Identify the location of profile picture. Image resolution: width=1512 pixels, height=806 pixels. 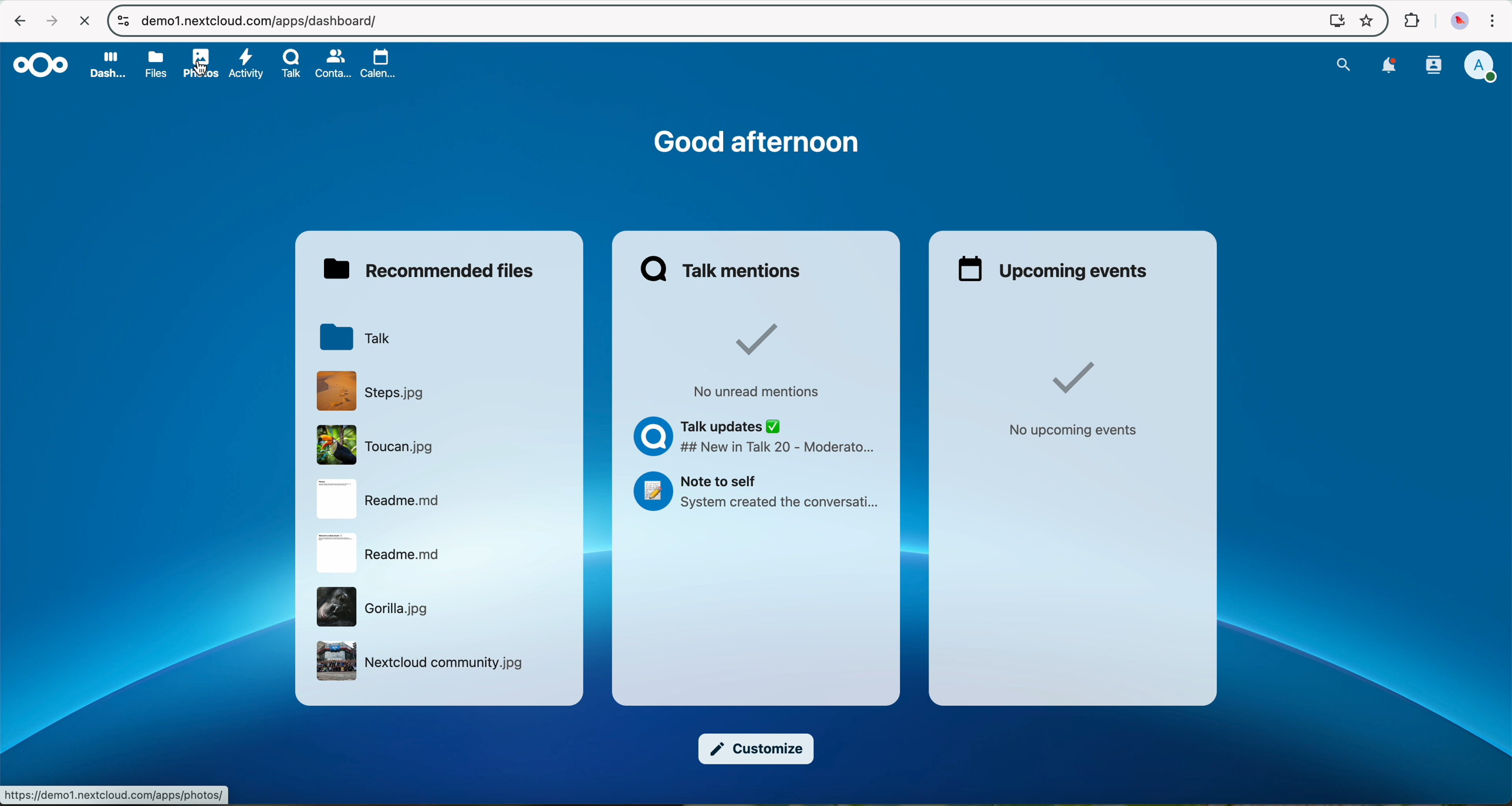
(1457, 22).